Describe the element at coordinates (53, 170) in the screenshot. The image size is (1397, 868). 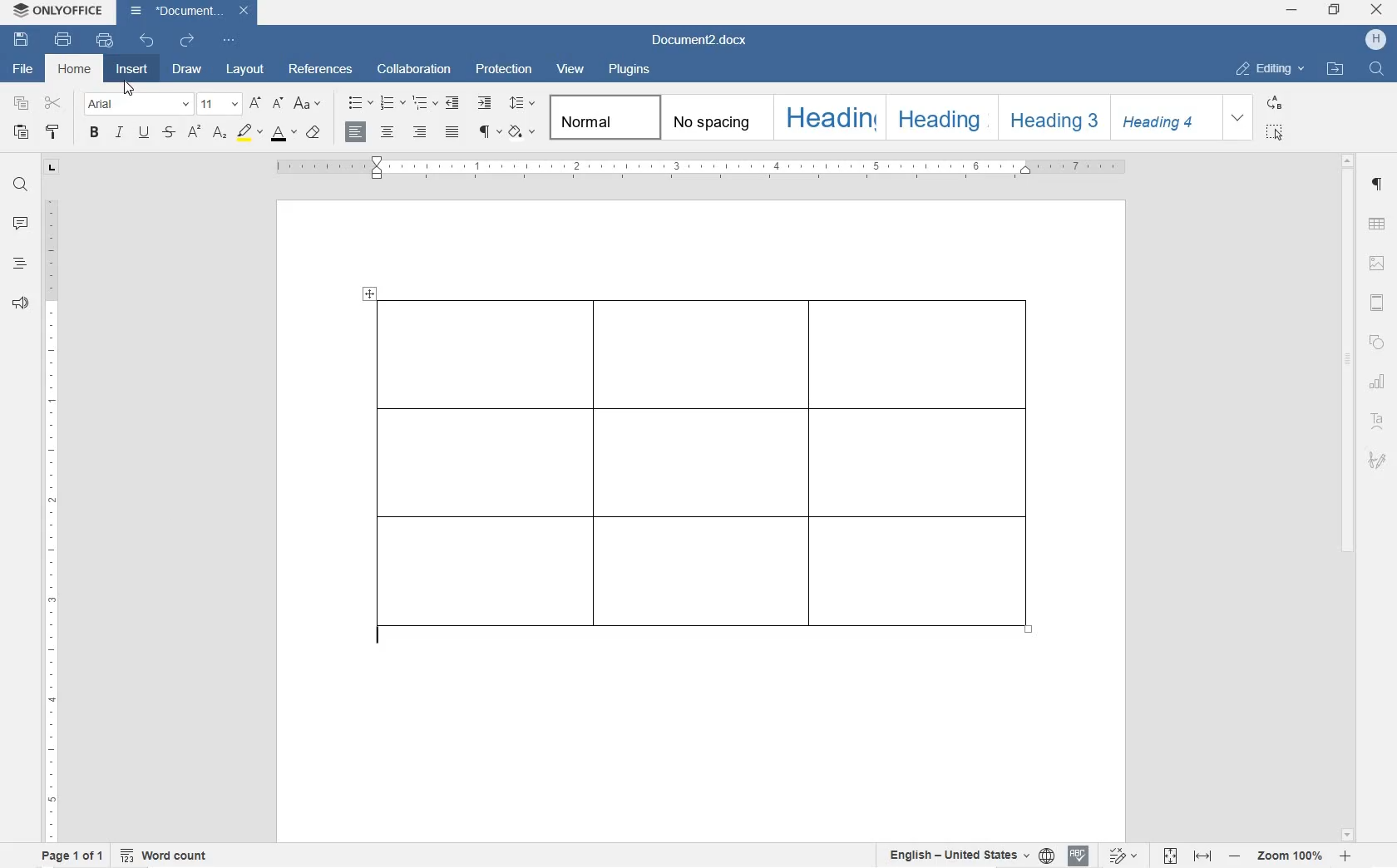
I see `tab` at that location.